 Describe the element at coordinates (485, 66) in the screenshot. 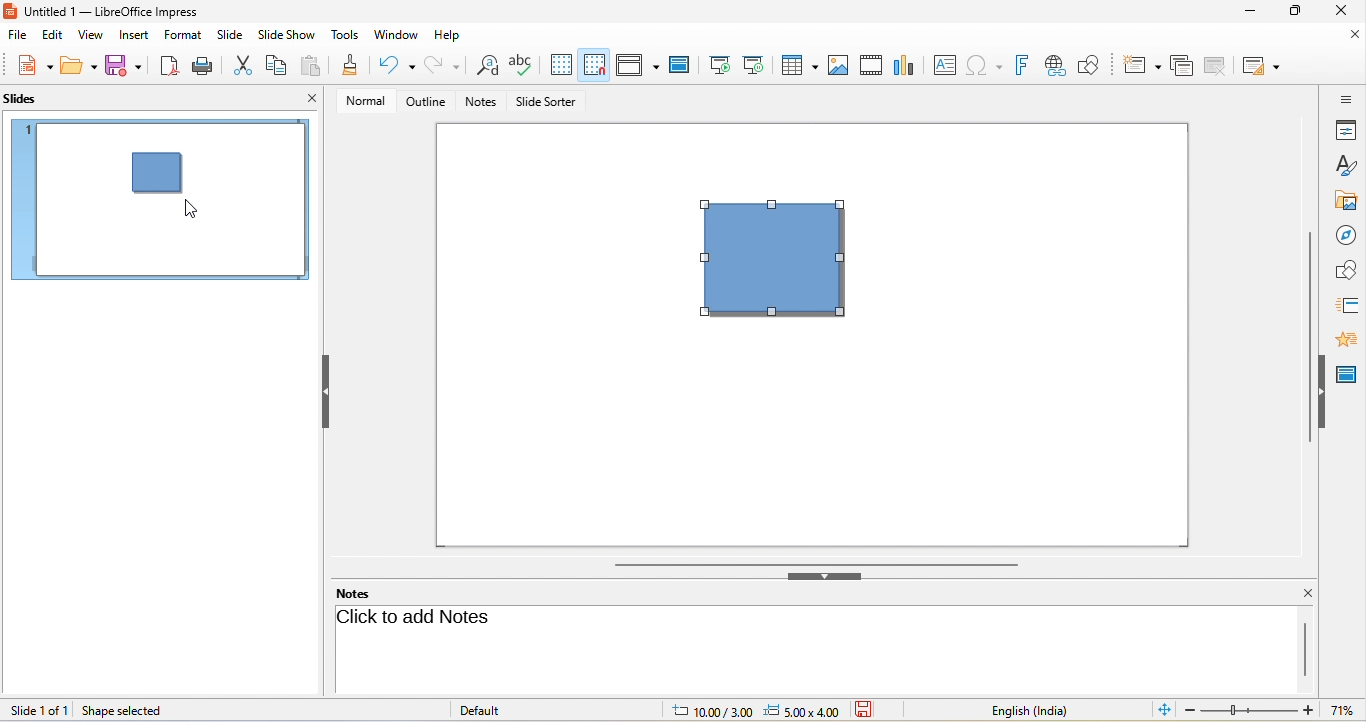

I see `find and replace` at that location.